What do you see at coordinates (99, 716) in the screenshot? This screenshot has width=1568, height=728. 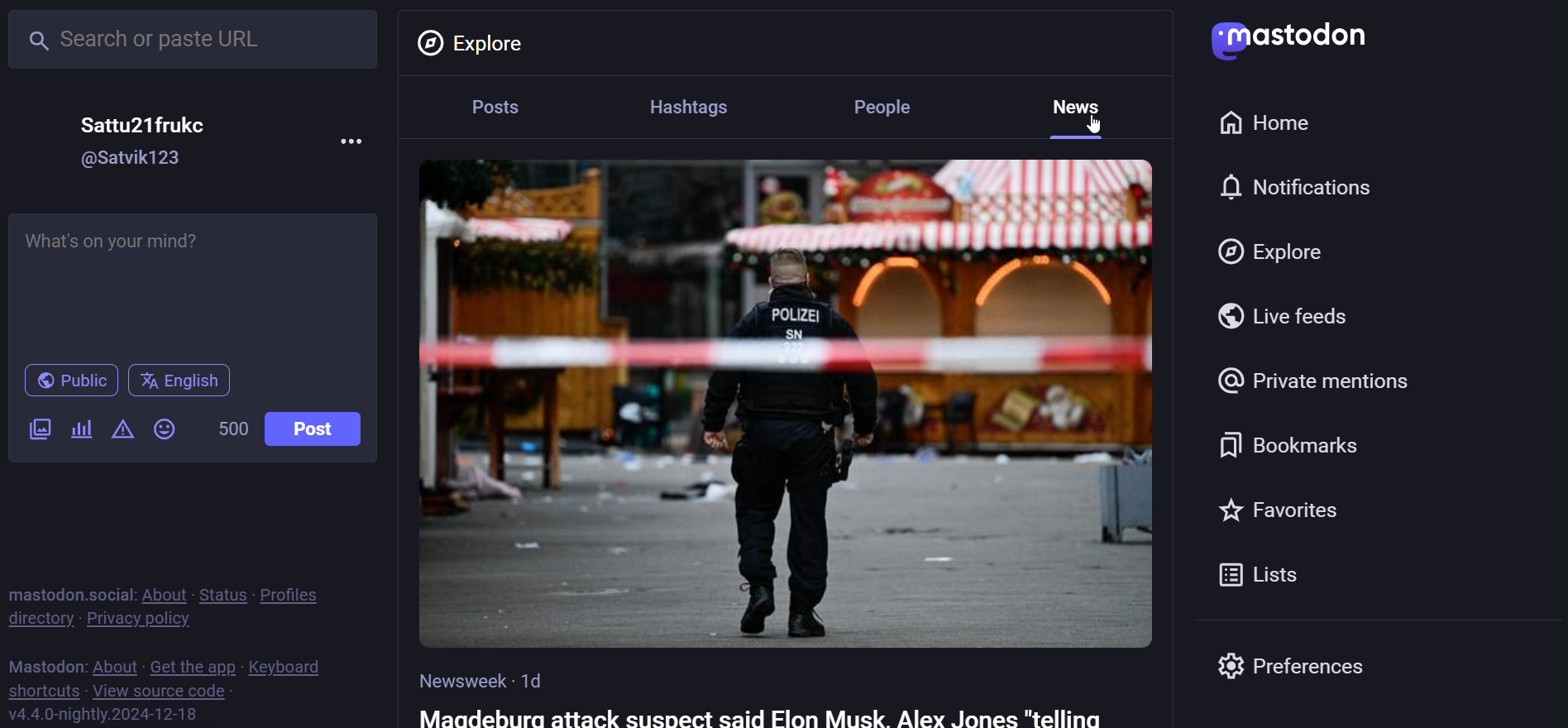 I see `v4.4.0-nightly.2024-12-18` at bounding box center [99, 716].